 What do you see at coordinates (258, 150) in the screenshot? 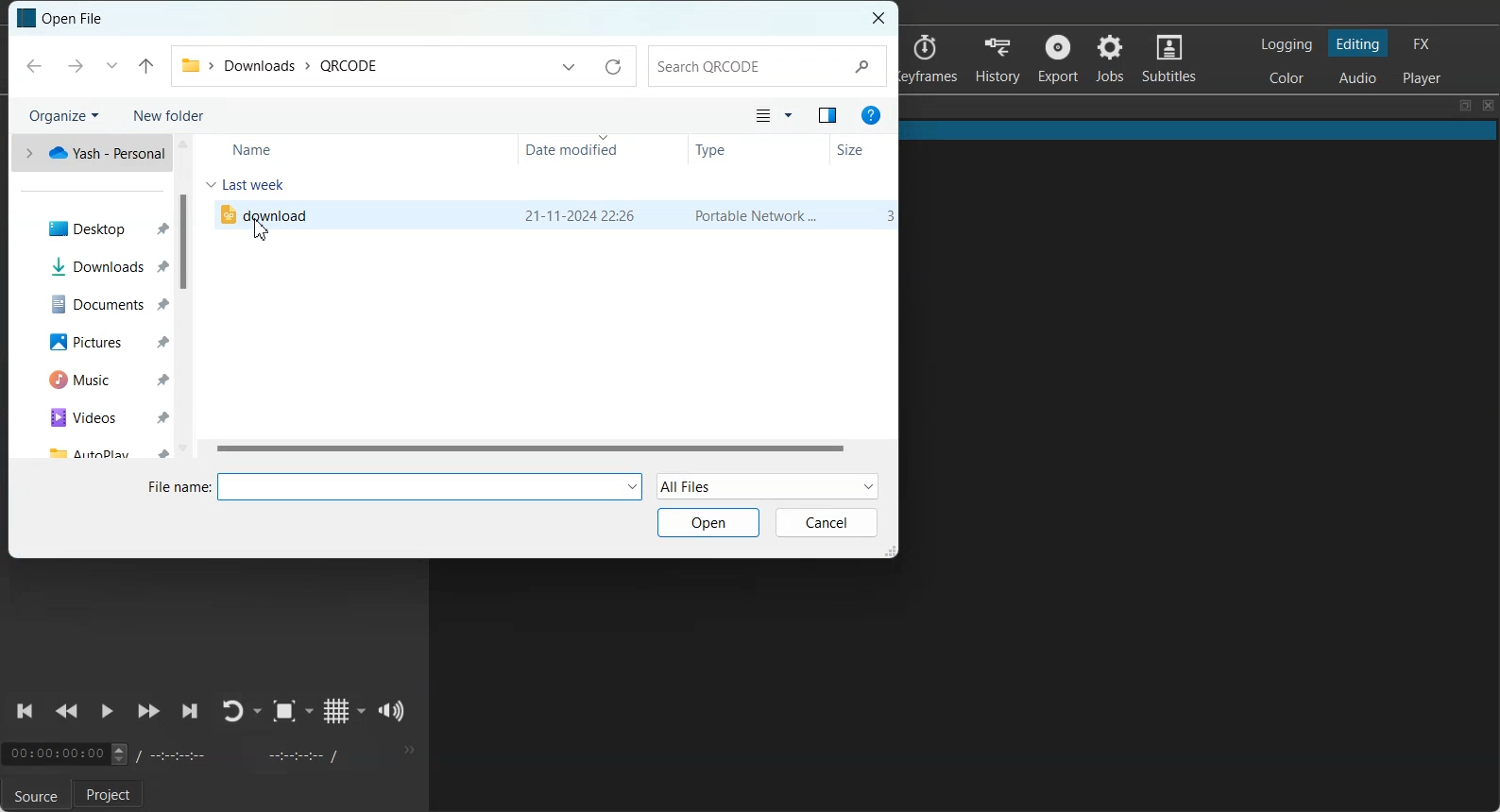
I see `Name` at bounding box center [258, 150].